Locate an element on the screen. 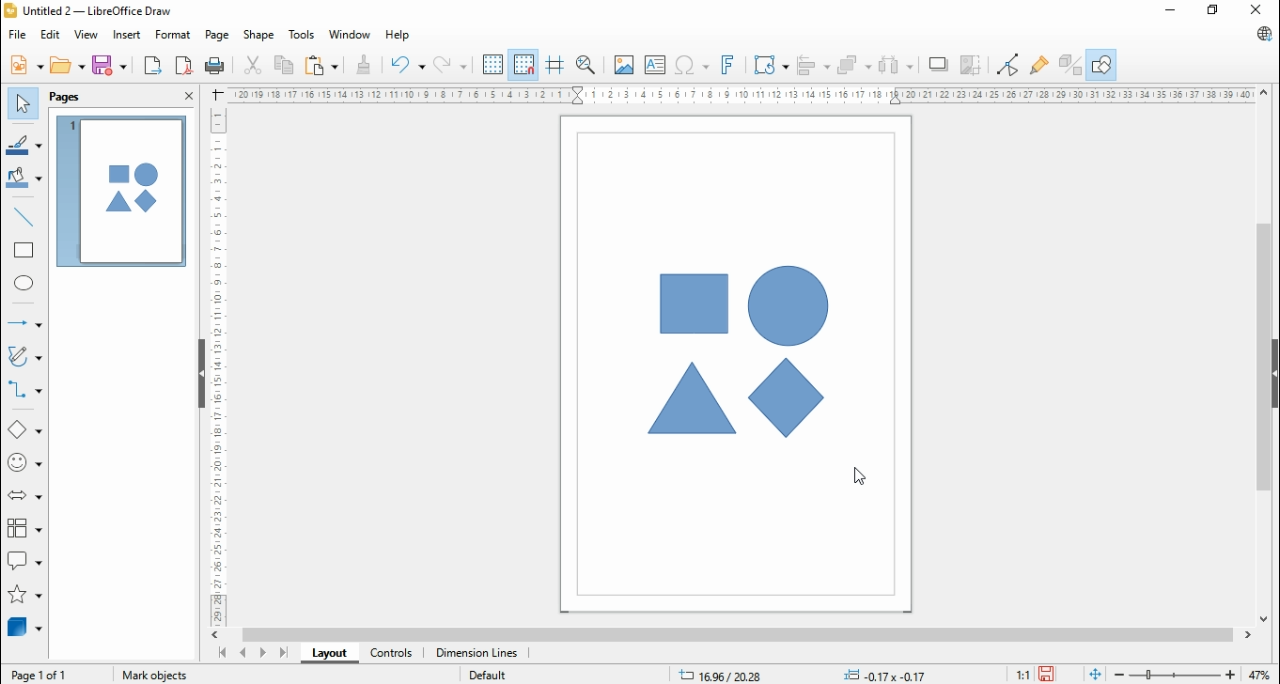  export is located at coordinates (153, 65).